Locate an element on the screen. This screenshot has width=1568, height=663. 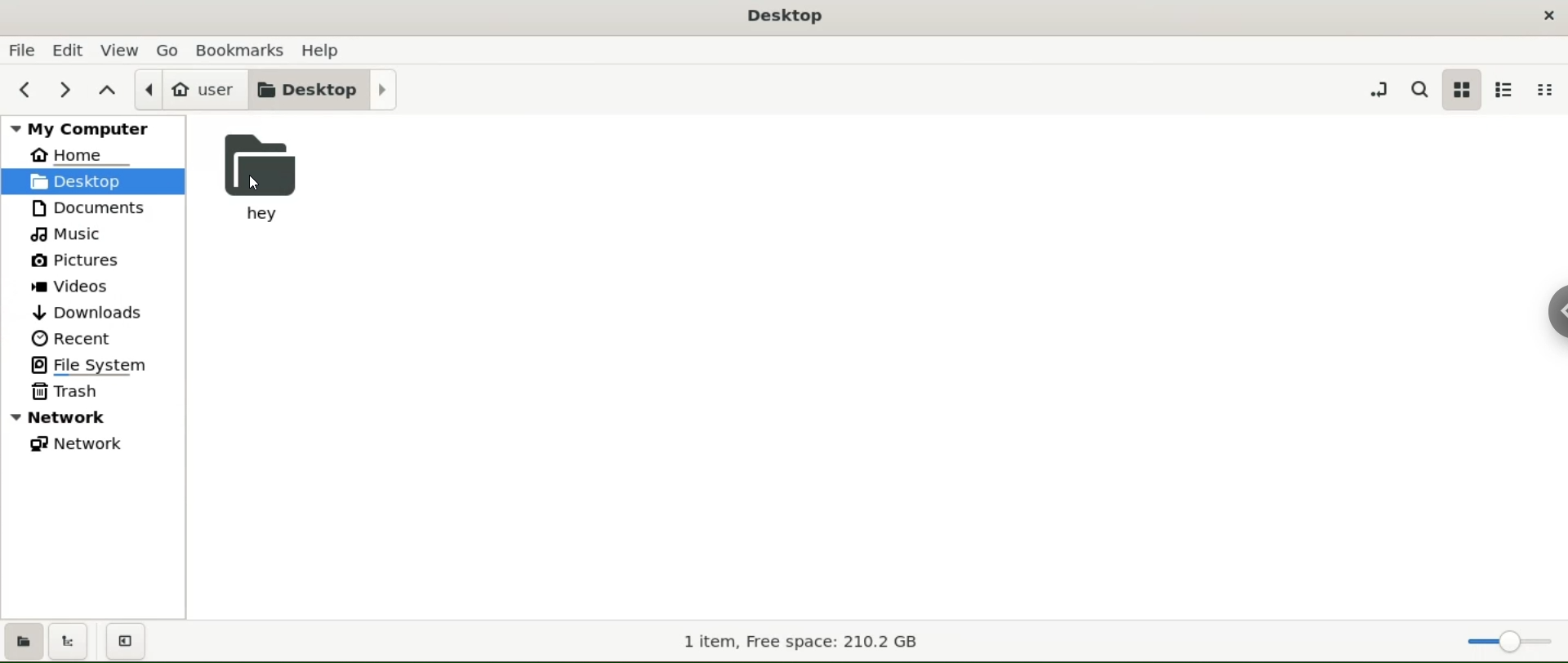
user is located at coordinates (192, 90).